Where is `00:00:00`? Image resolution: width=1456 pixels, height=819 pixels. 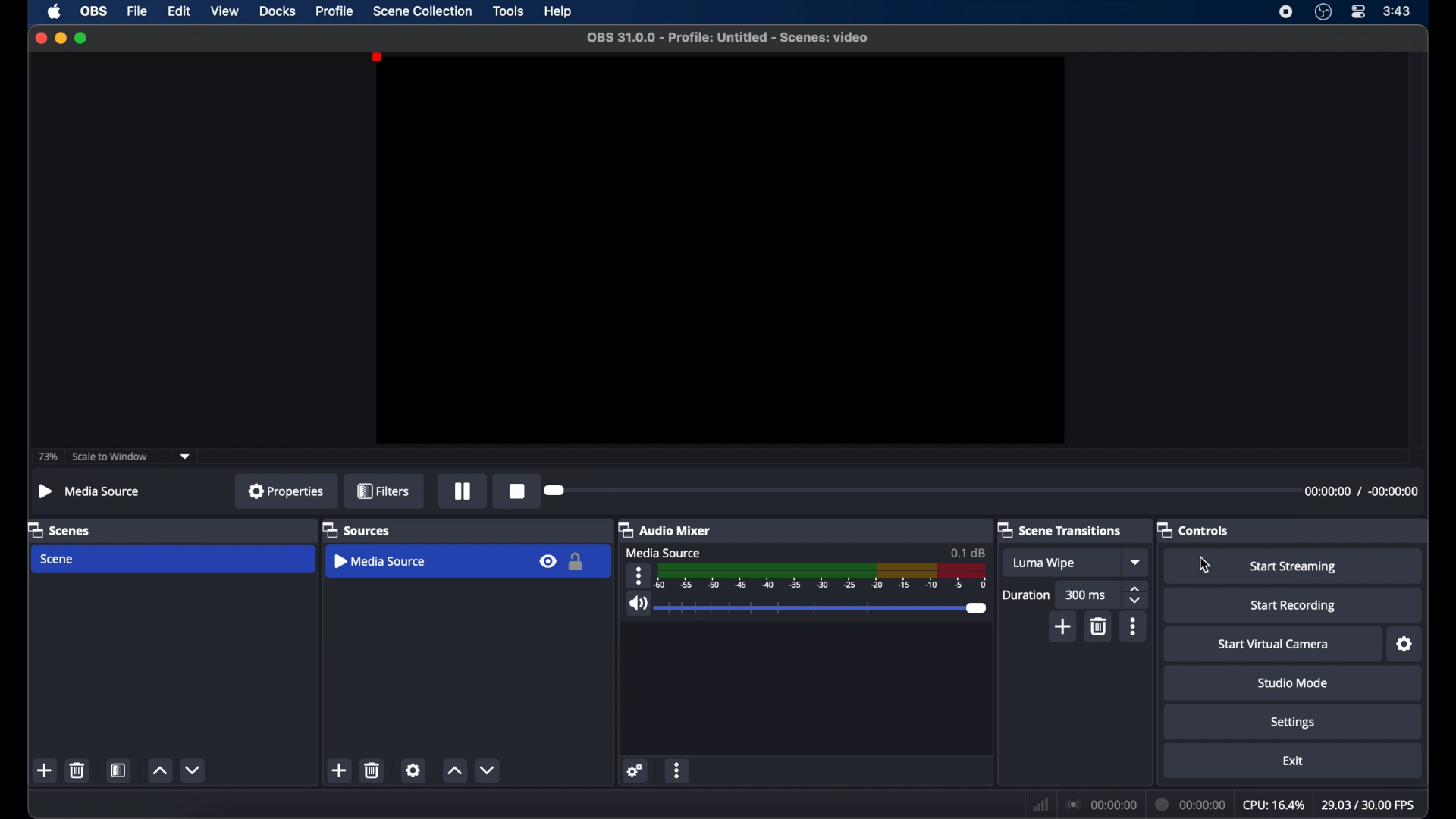 00:00:00 is located at coordinates (1191, 805).